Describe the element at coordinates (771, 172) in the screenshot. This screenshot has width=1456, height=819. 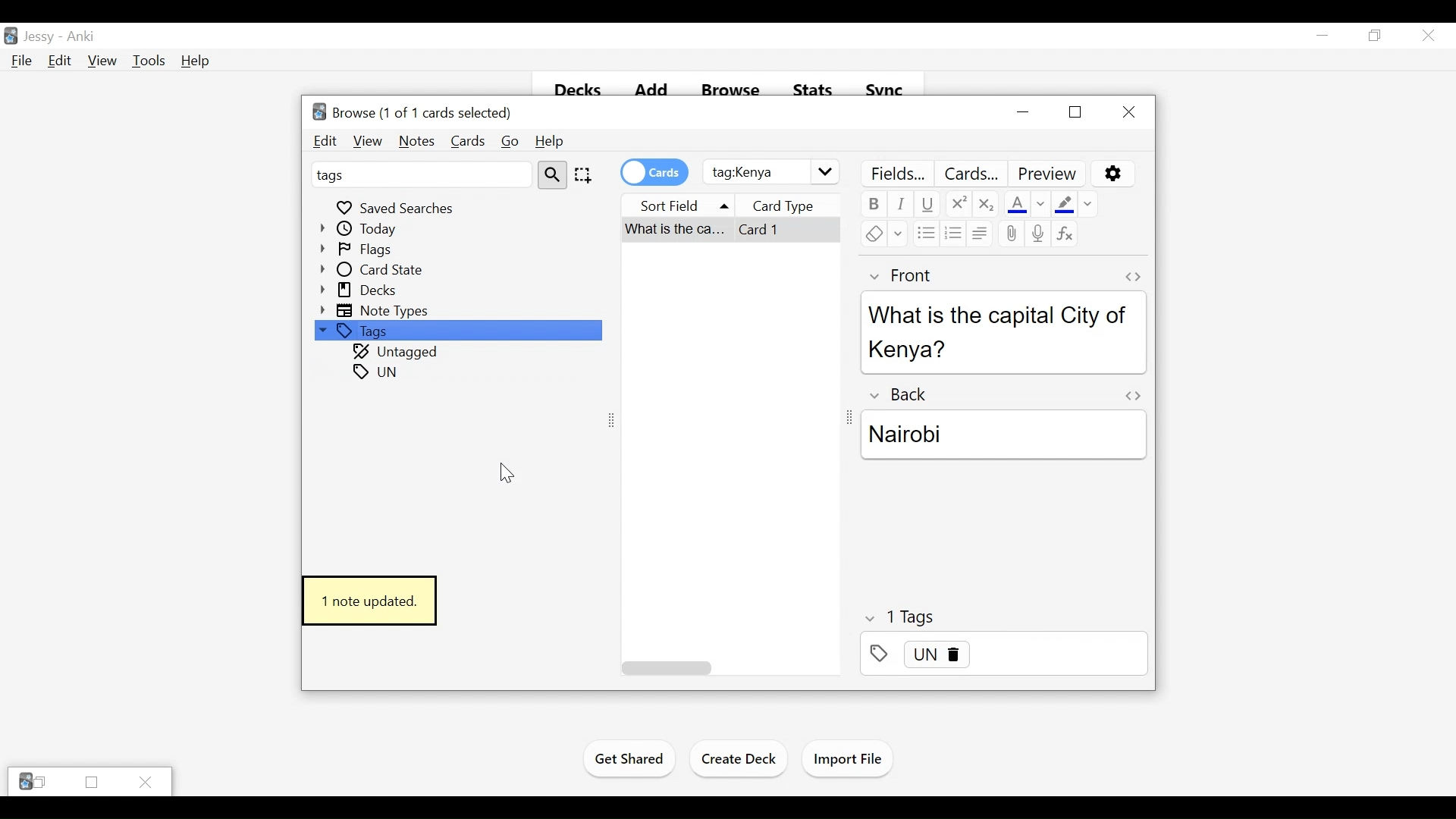
I see `Search Field` at that location.